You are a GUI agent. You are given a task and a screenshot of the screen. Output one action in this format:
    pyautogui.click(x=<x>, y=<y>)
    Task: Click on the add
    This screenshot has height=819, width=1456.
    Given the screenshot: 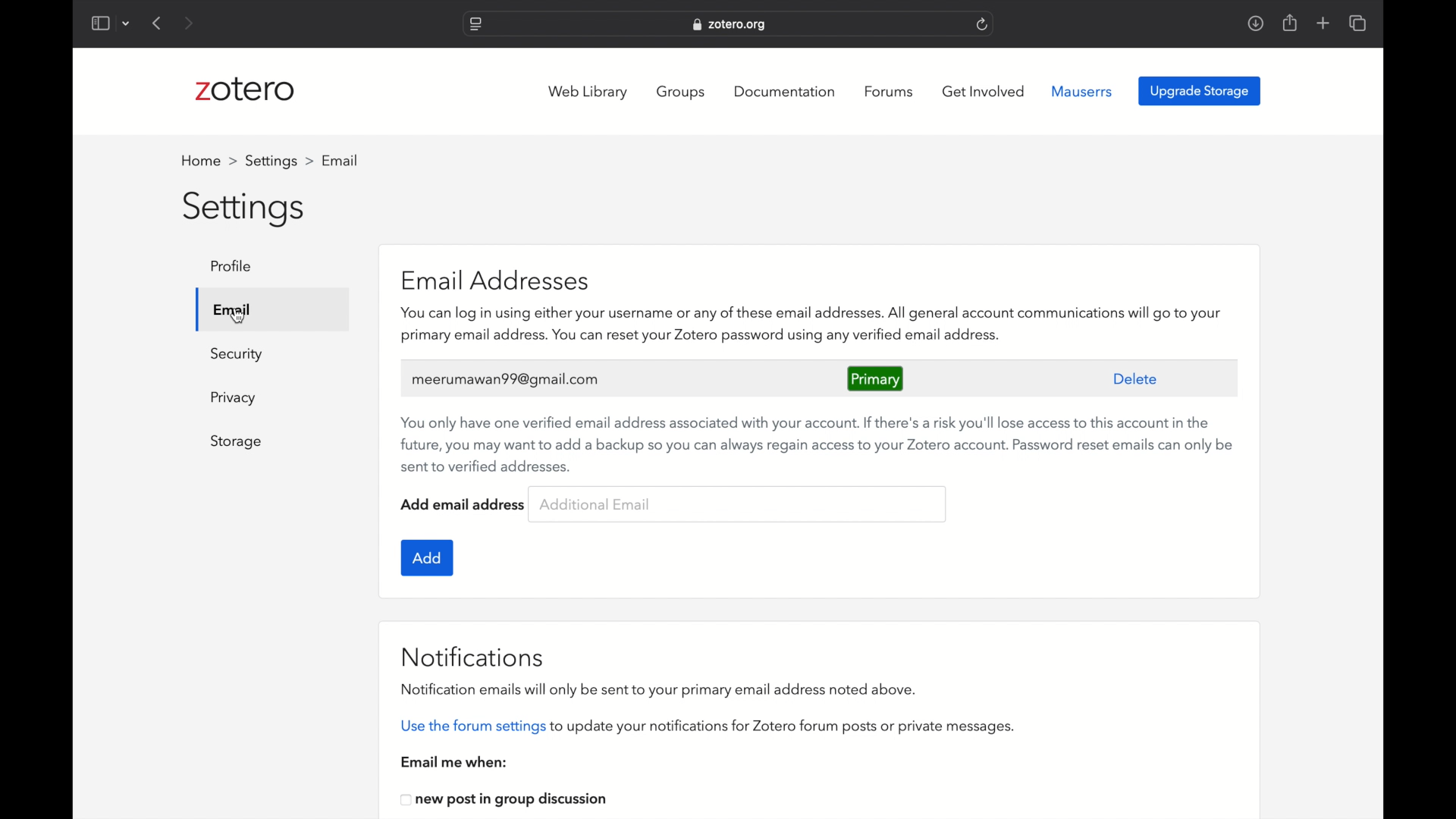 What is the action you would take?
    pyautogui.click(x=428, y=558)
    